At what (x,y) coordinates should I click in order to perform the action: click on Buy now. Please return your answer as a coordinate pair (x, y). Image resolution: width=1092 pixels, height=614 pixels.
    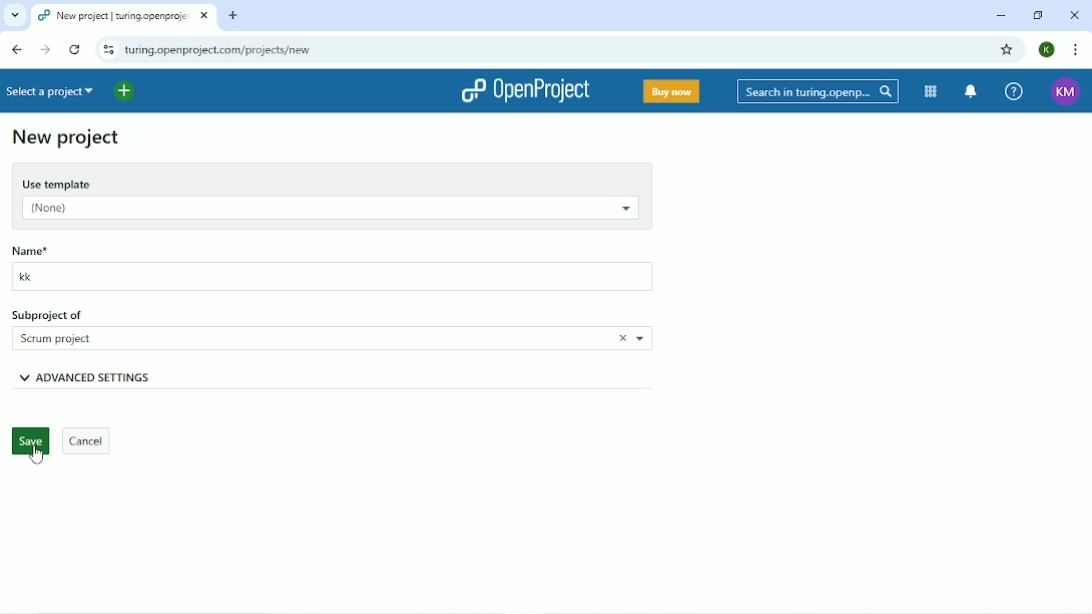
    Looking at the image, I should click on (670, 93).